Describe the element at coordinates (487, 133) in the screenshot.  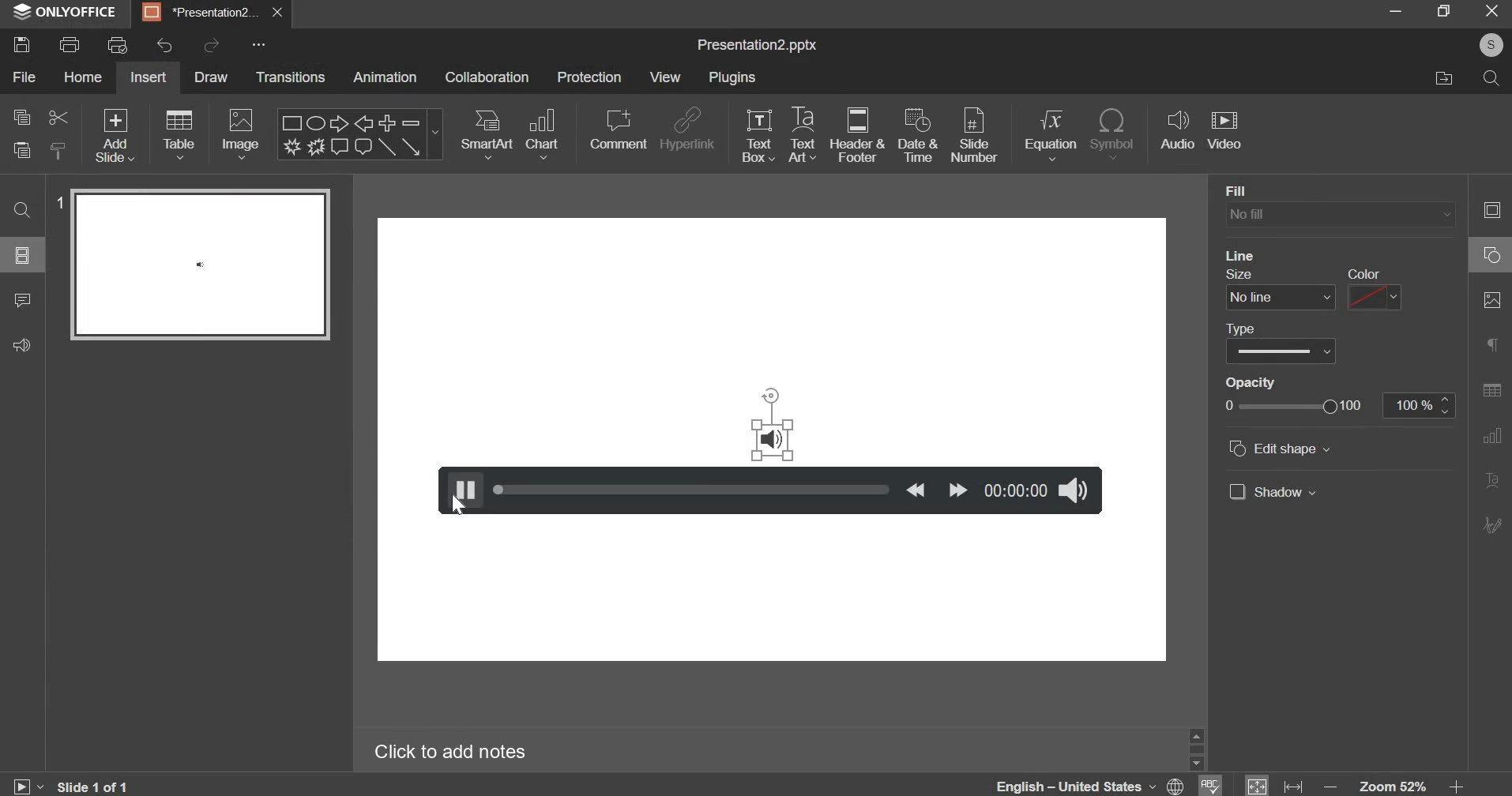
I see `smartart` at that location.